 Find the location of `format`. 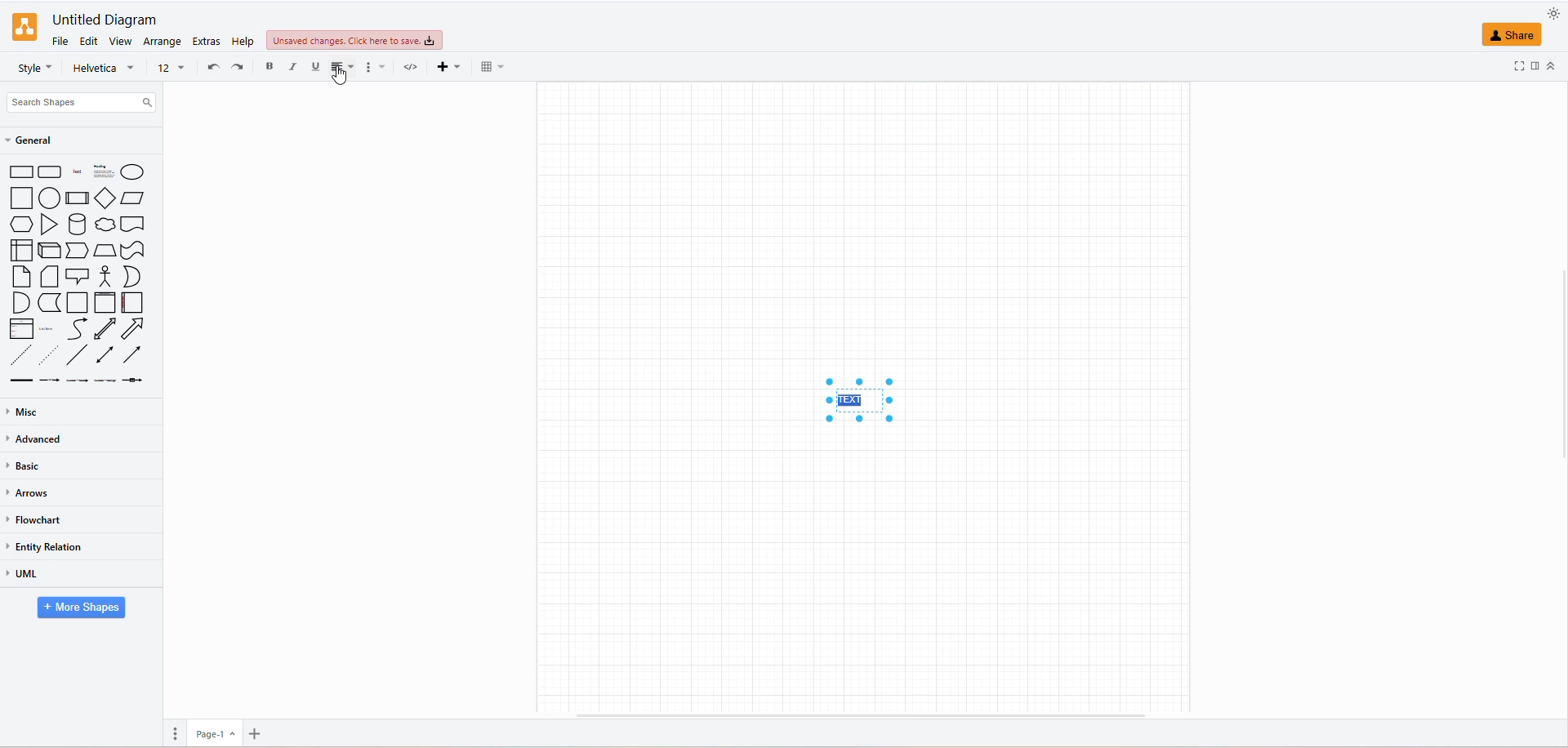

format is located at coordinates (374, 69).